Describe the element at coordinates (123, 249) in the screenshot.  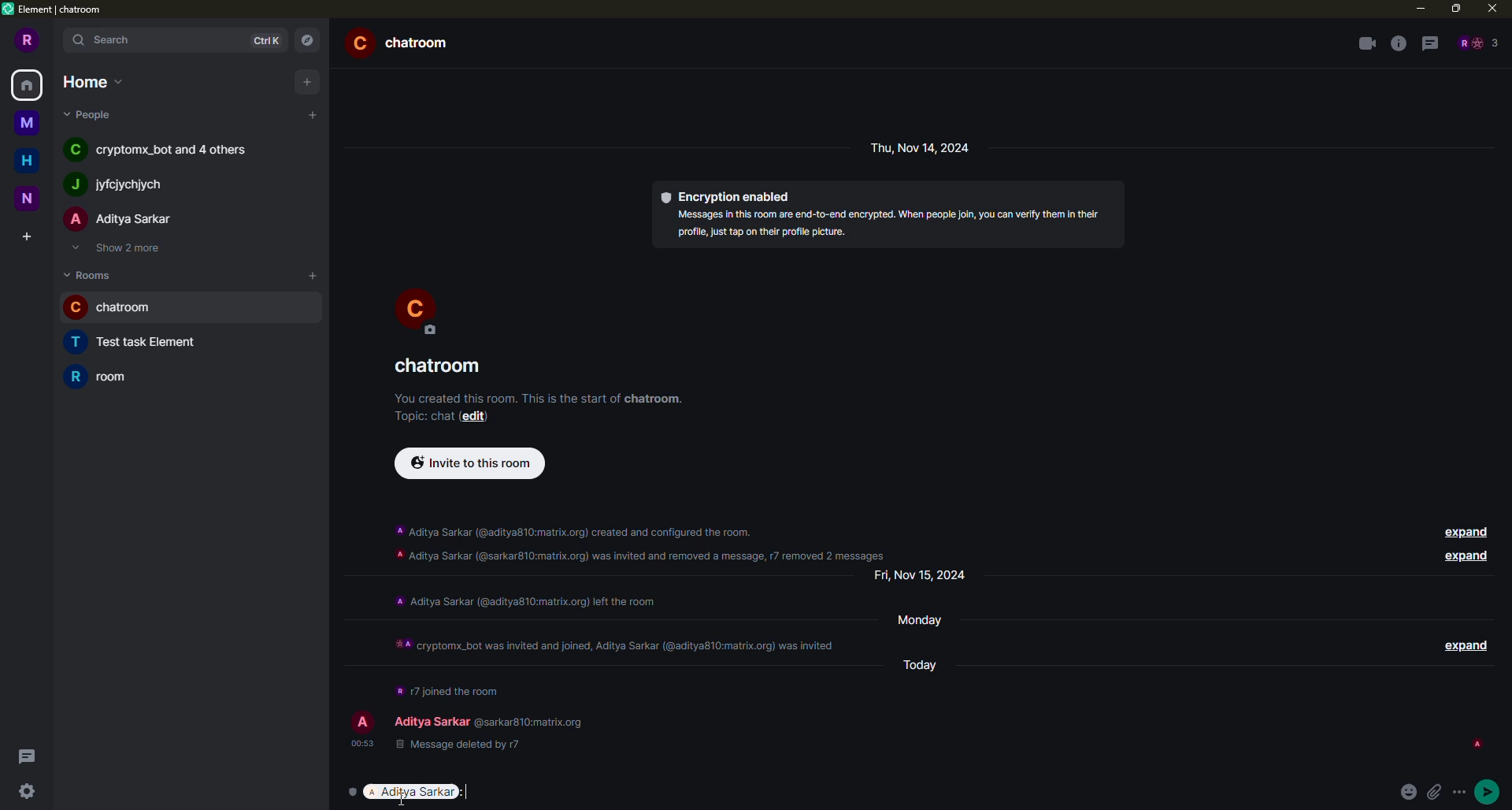
I see `show 2 more` at that location.